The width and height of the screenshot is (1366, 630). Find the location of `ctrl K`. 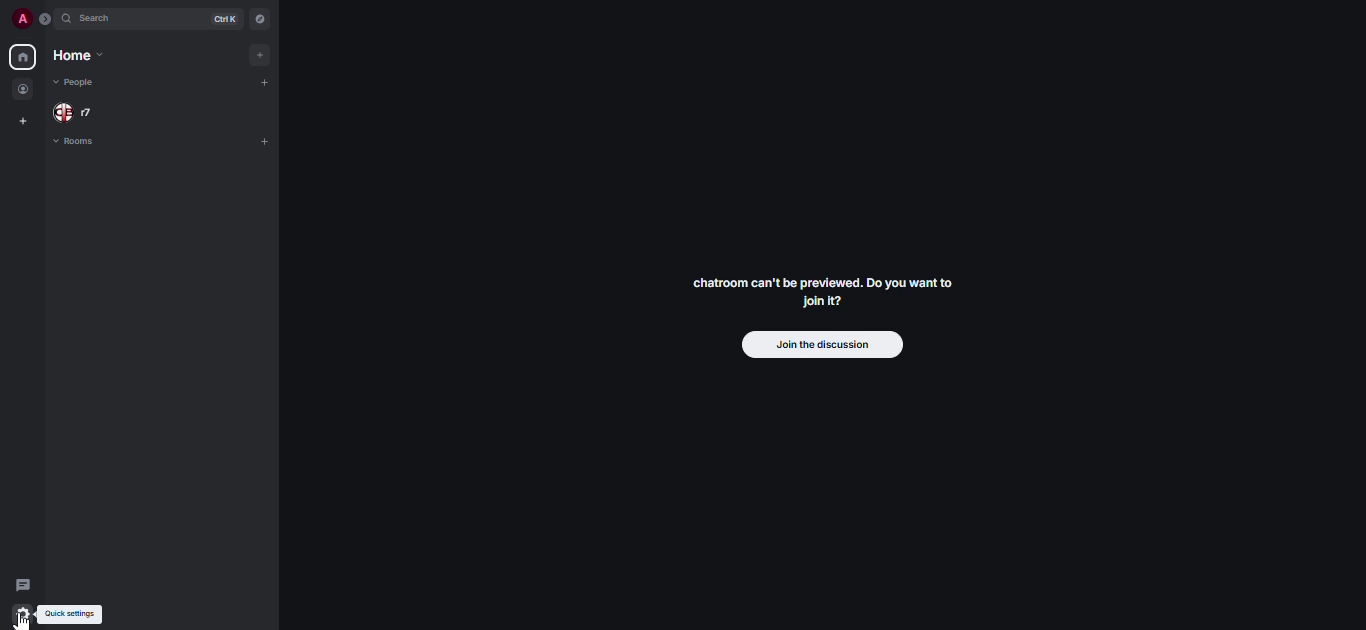

ctrl K is located at coordinates (220, 20).